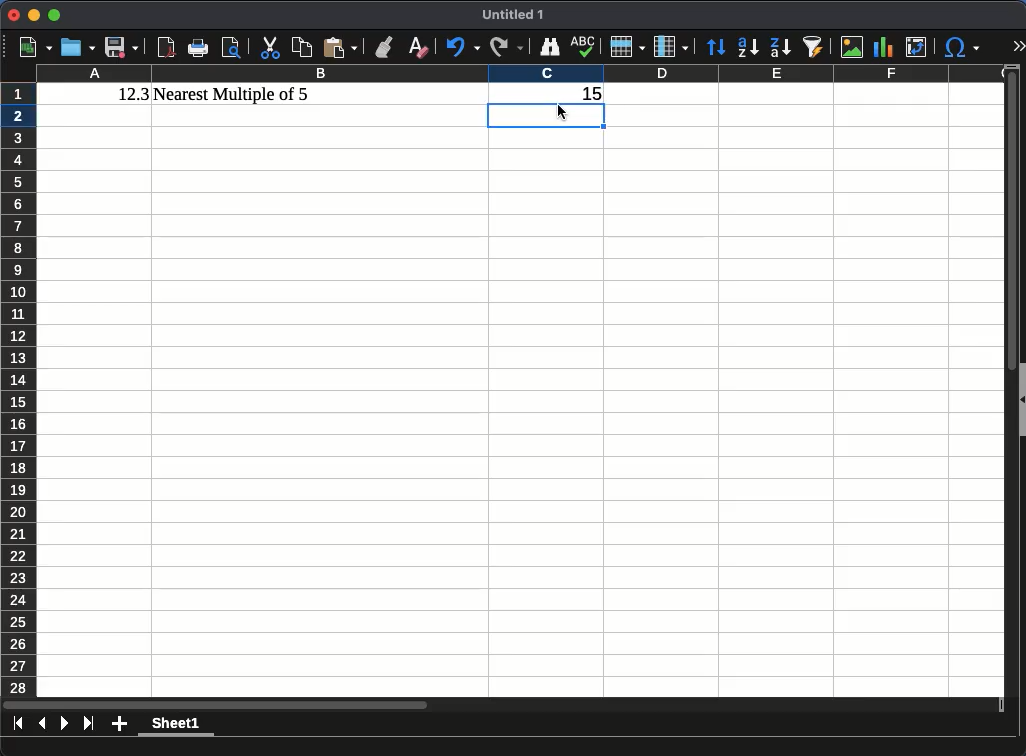  Describe the element at coordinates (134, 94) in the screenshot. I see `12.3` at that location.